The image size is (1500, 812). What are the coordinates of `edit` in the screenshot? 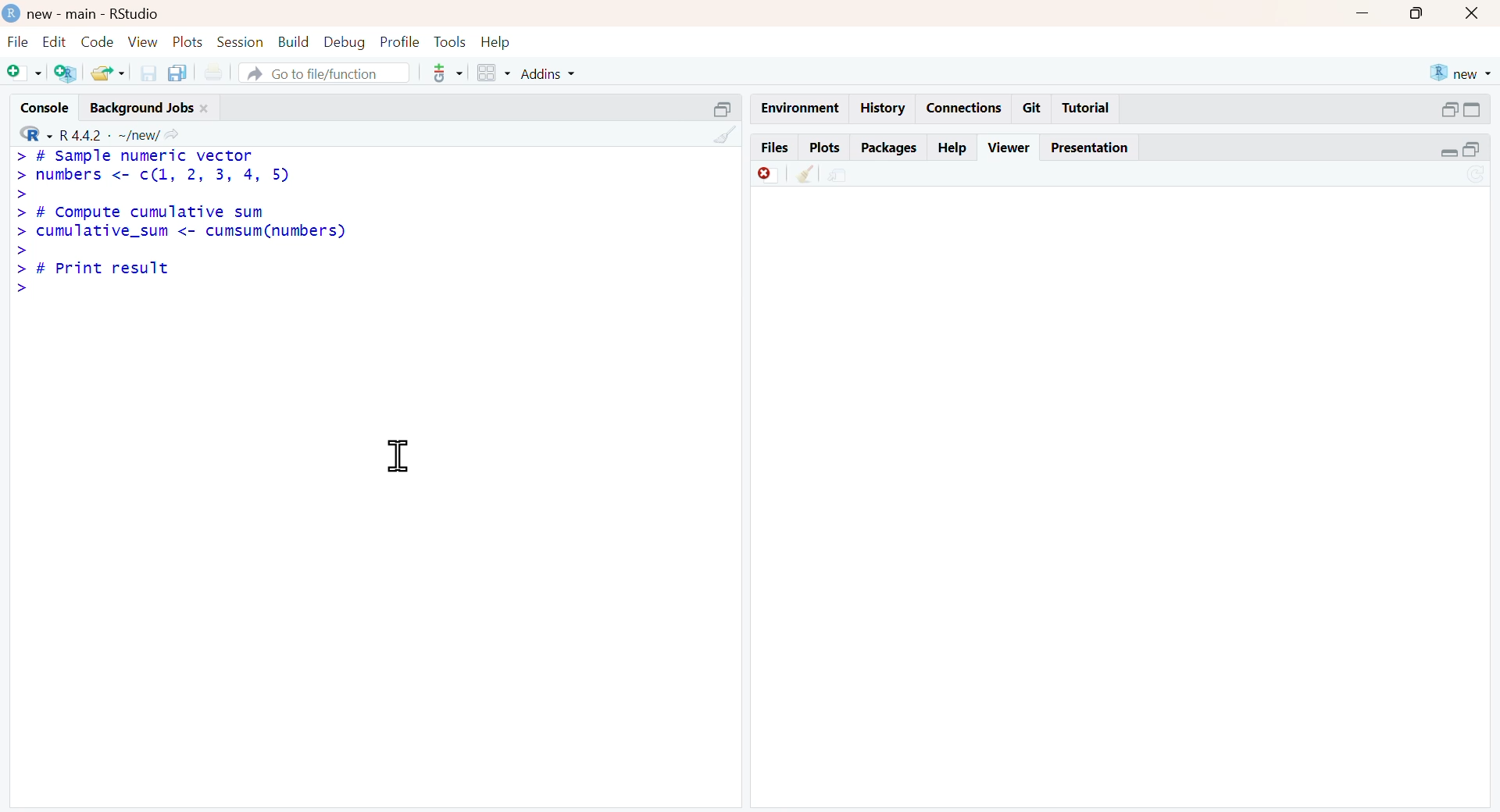 It's located at (54, 41).